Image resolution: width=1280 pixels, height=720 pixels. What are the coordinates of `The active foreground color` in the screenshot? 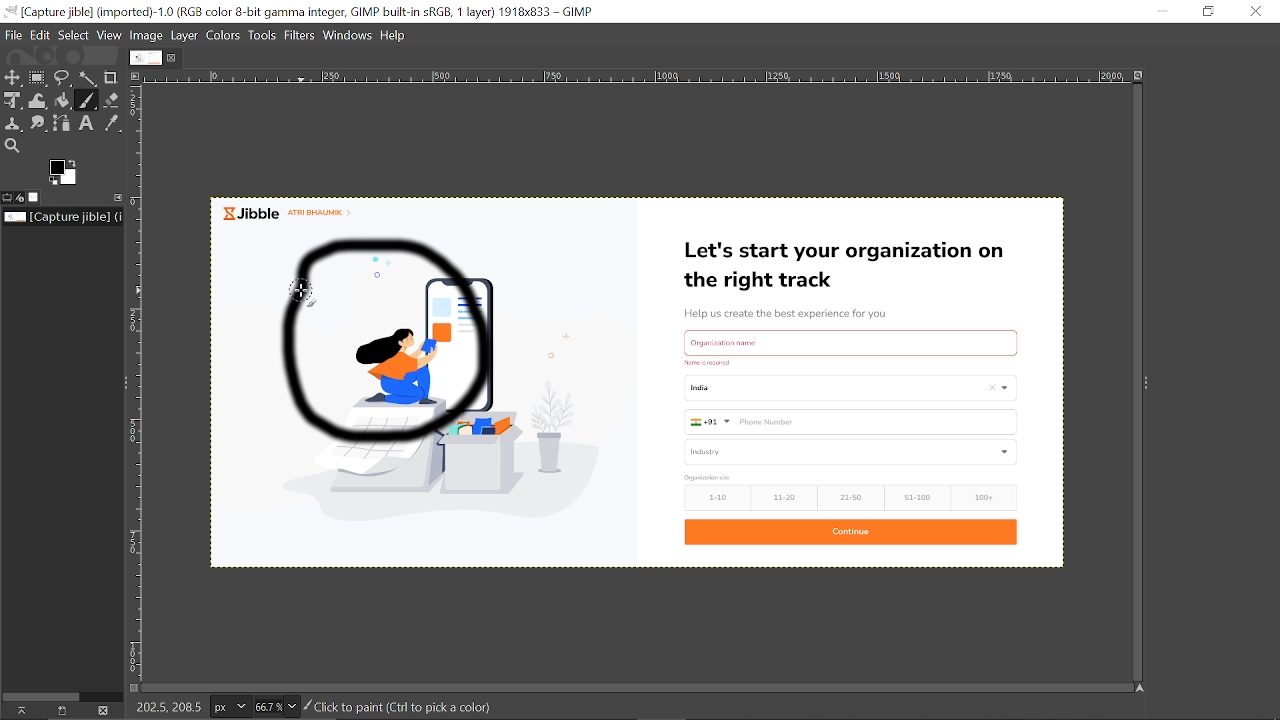 It's located at (63, 172).